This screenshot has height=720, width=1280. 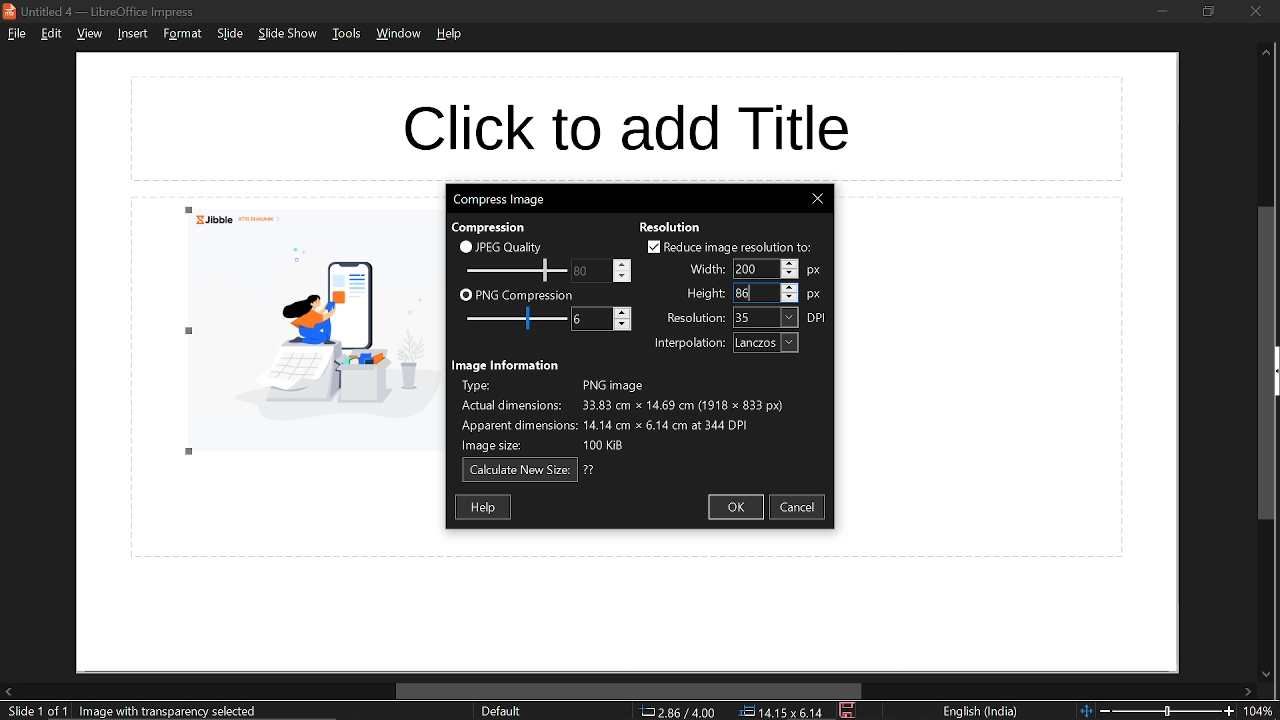 What do you see at coordinates (789, 286) in the screenshot?
I see `increase height` at bounding box center [789, 286].